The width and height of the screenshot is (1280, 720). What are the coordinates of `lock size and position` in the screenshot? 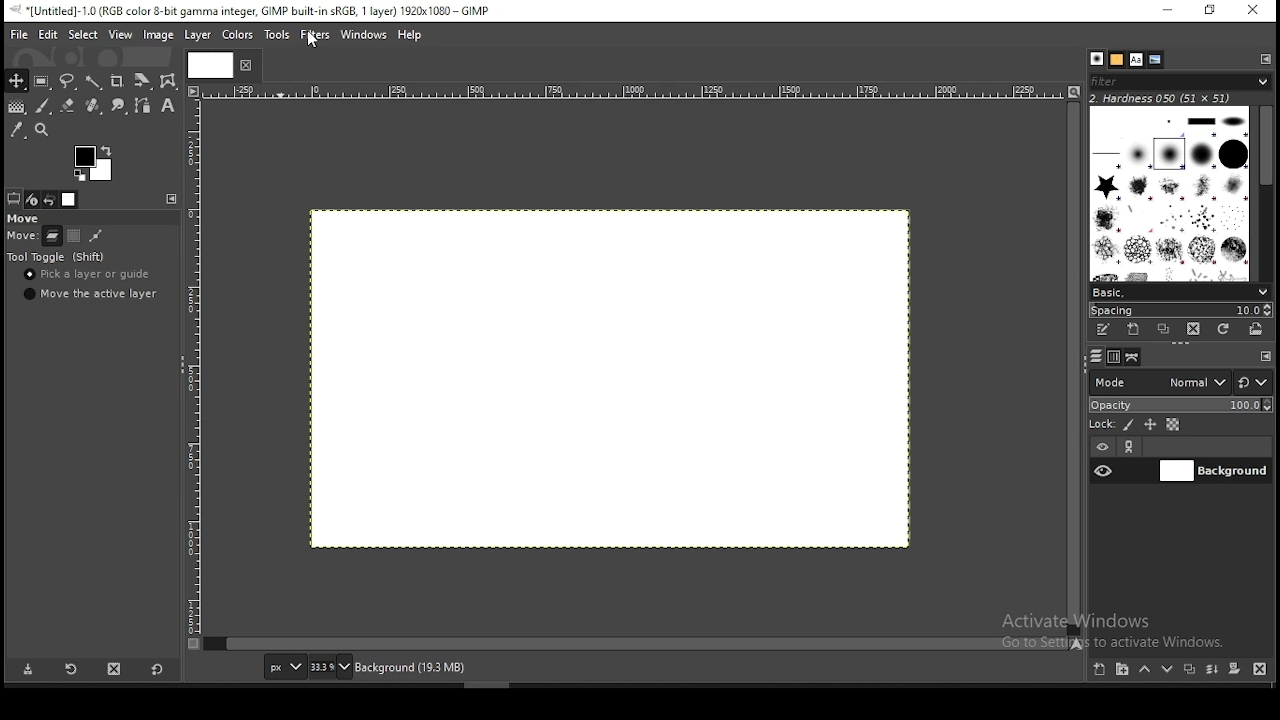 It's located at (1150, 424).